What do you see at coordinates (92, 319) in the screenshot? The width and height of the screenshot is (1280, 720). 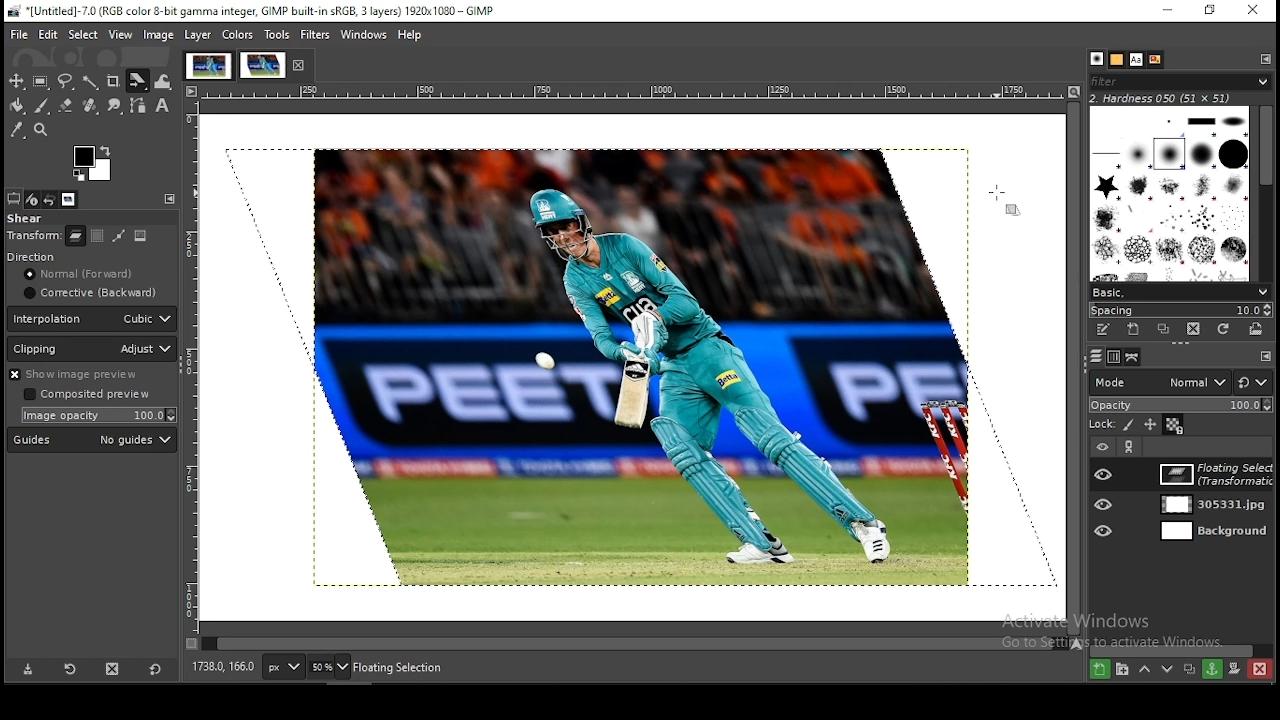 I see `interpolation ` at bounding box center [92, 319].